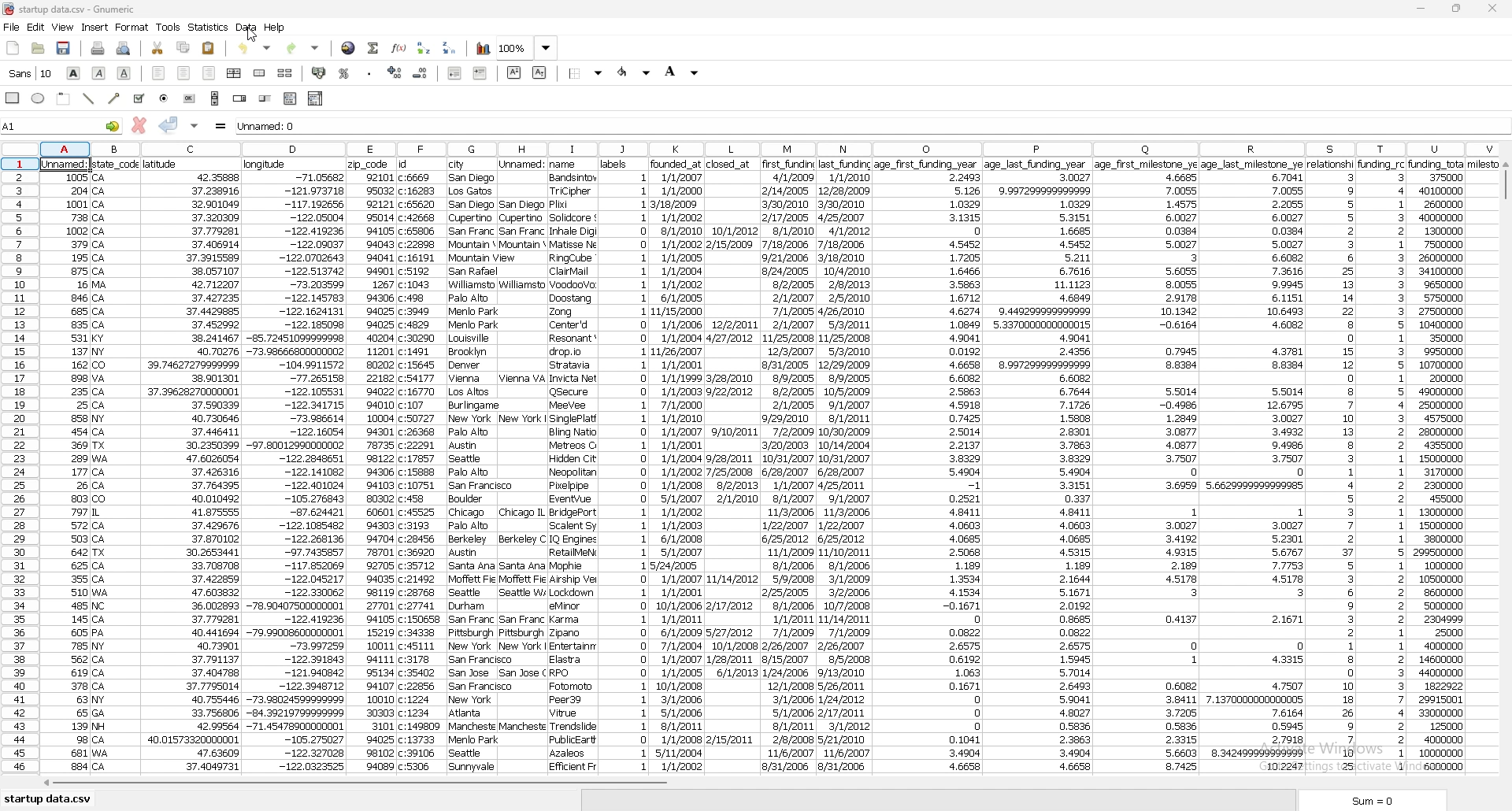 This screenshot has height=811, width=1512. Describe the element at coordinates (421, 73) in the screenshot. I see `decrease decimals` at that location.